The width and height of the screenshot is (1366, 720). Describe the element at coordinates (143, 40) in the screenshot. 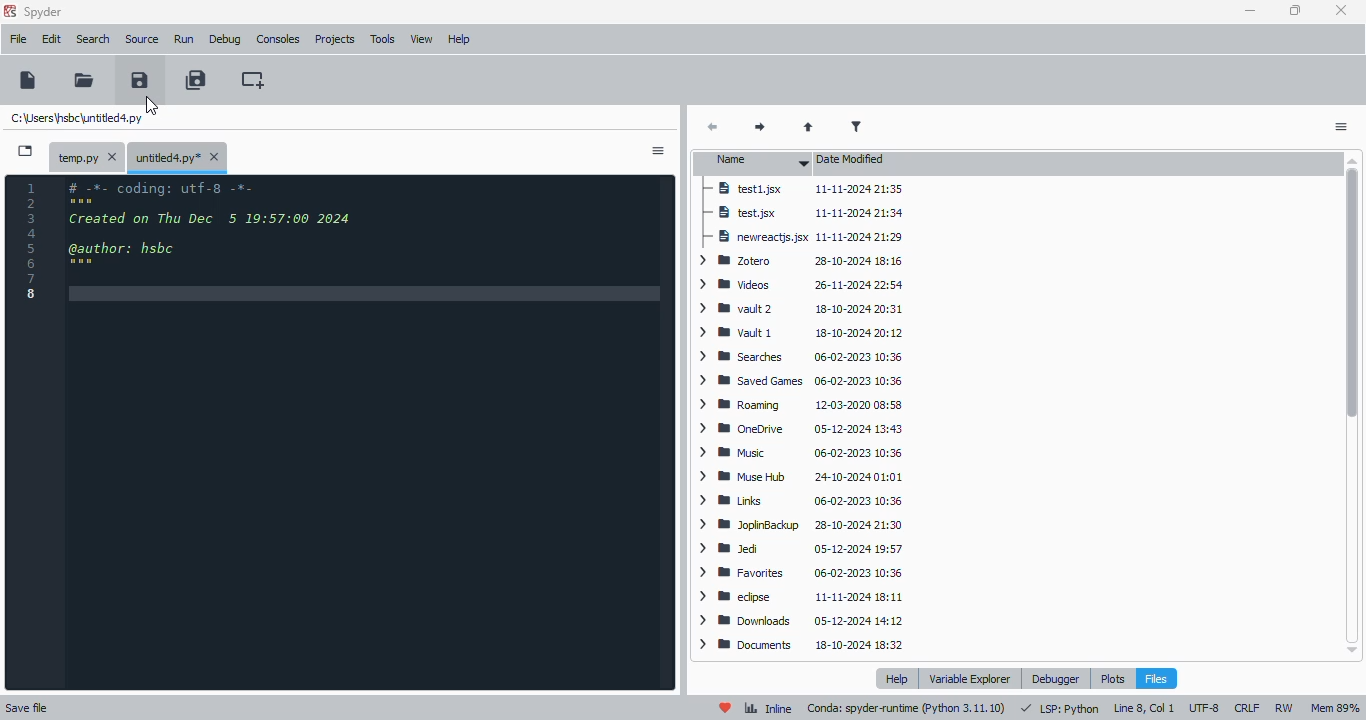

I see `source` at that location.